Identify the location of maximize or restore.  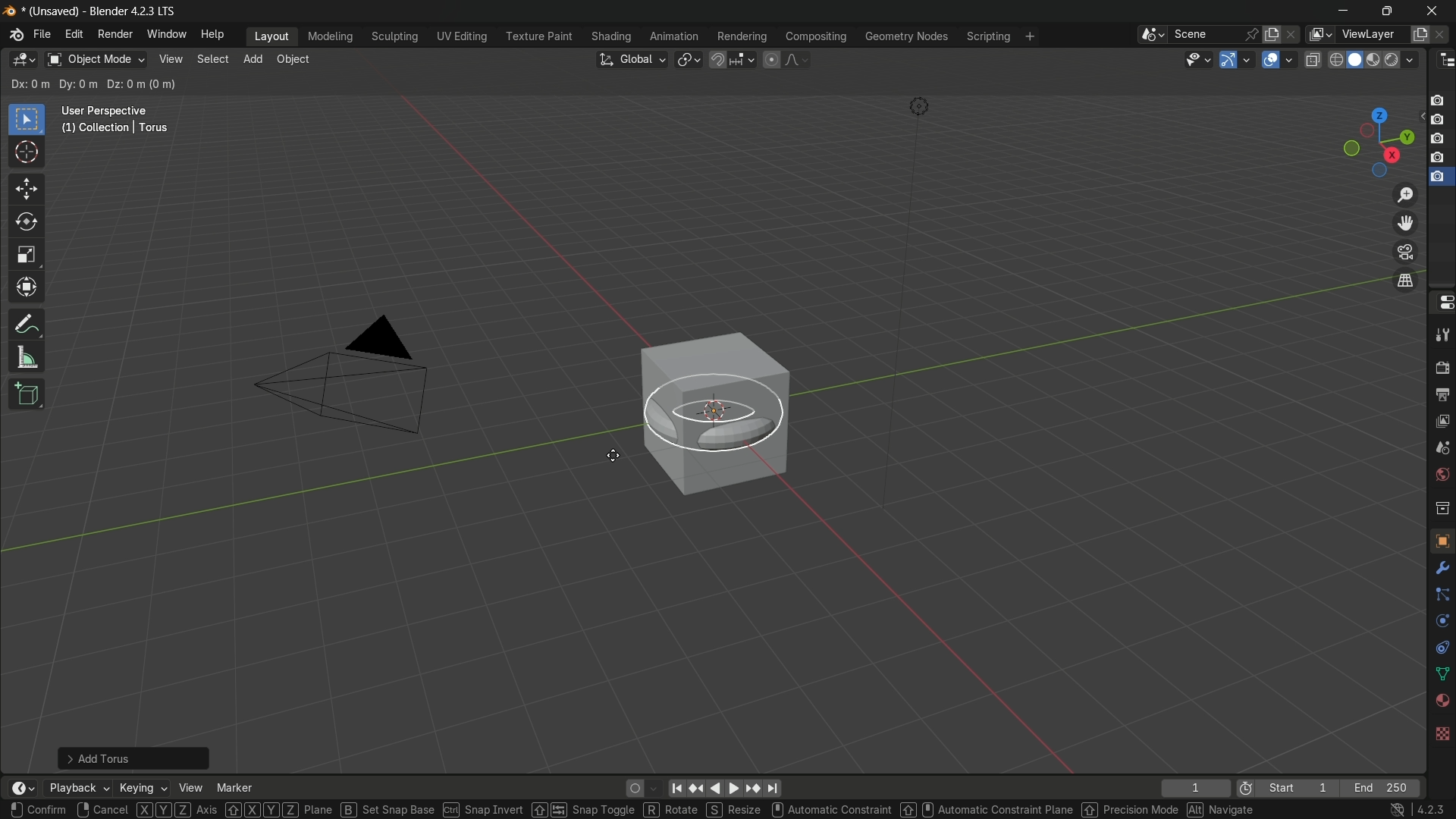
(1388, 11).